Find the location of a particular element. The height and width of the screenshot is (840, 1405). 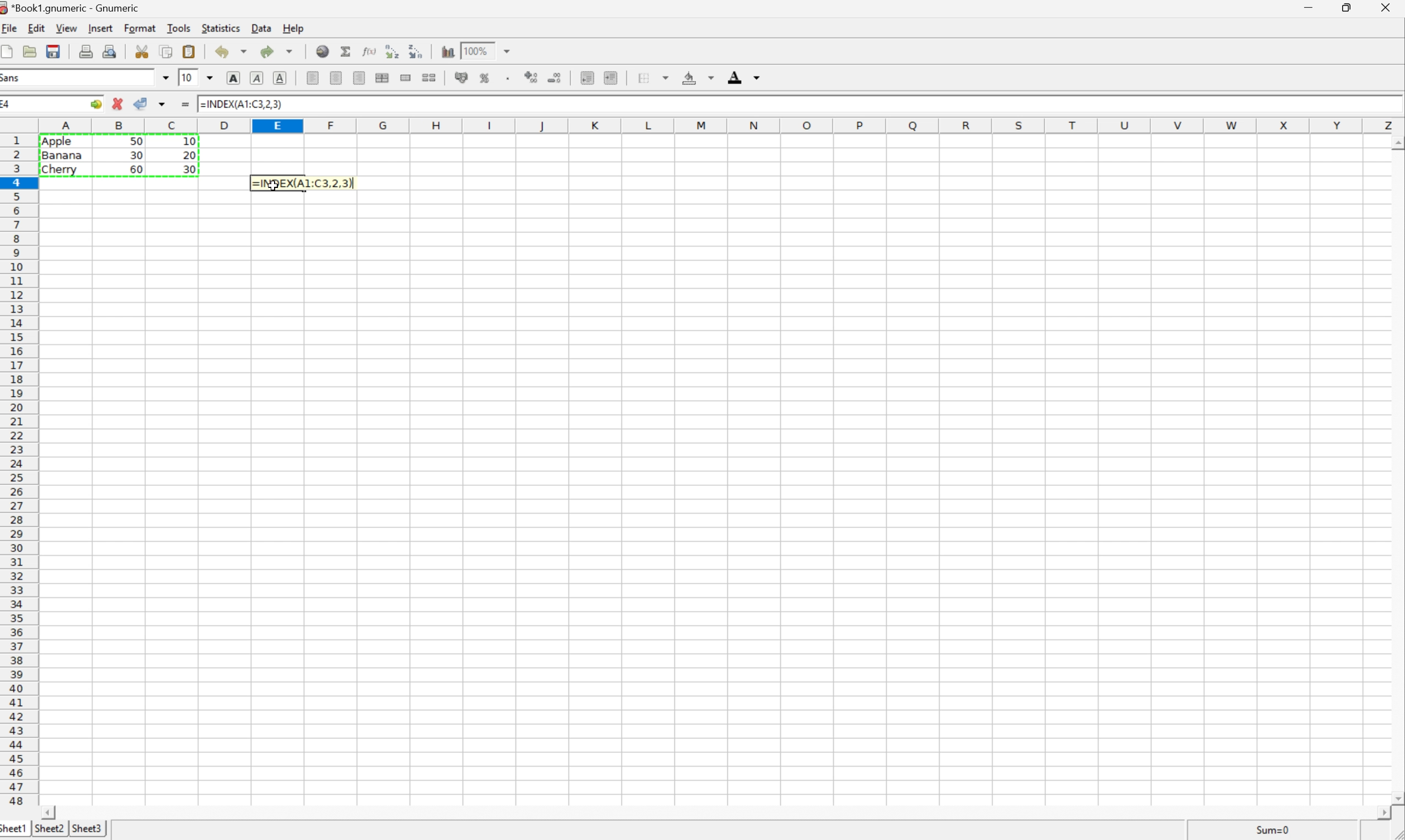

accept changes is located at coordinates (142, 104).